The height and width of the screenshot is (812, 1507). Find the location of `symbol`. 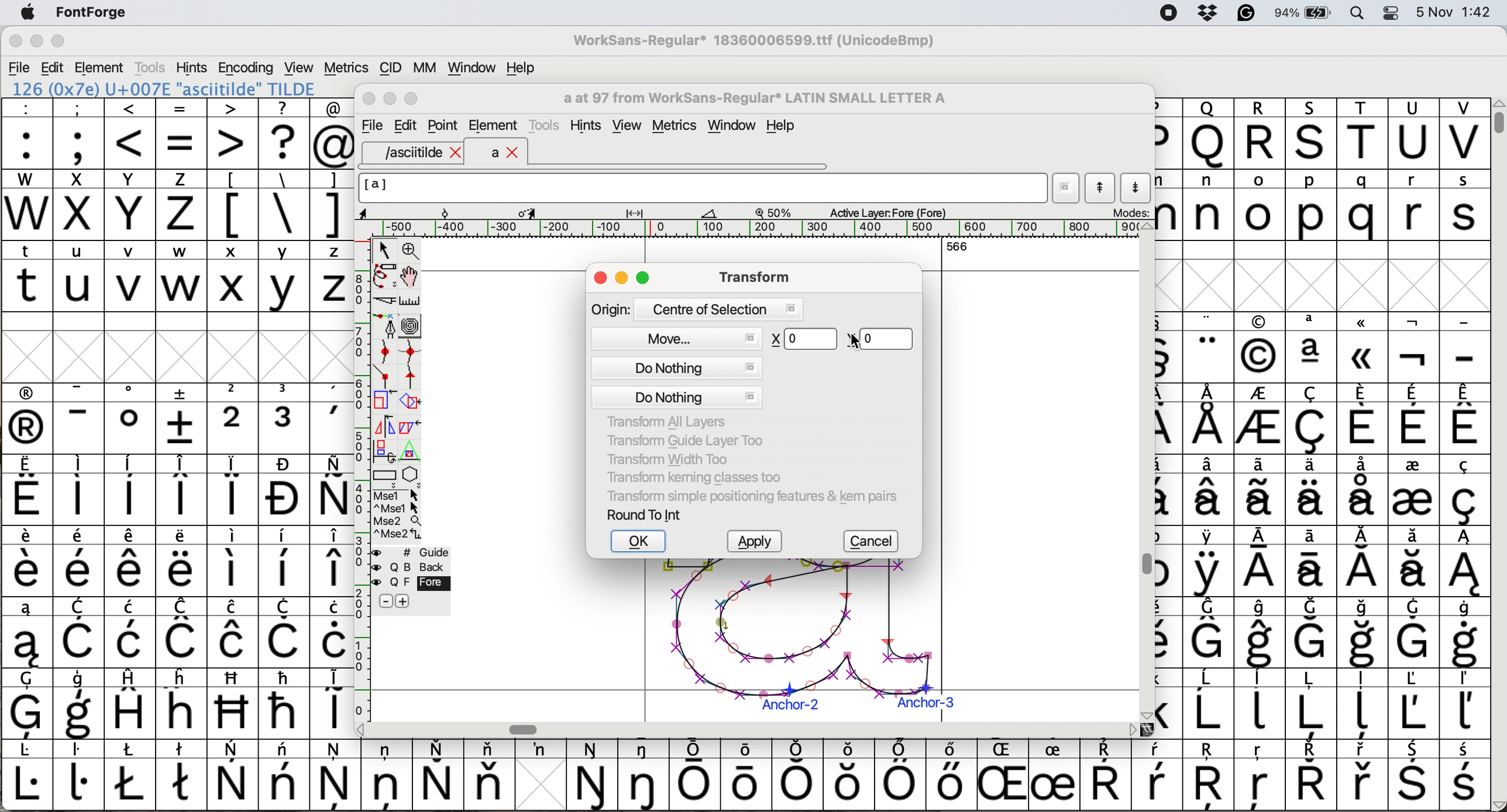

symbol is located at coordinates (1464, 633).